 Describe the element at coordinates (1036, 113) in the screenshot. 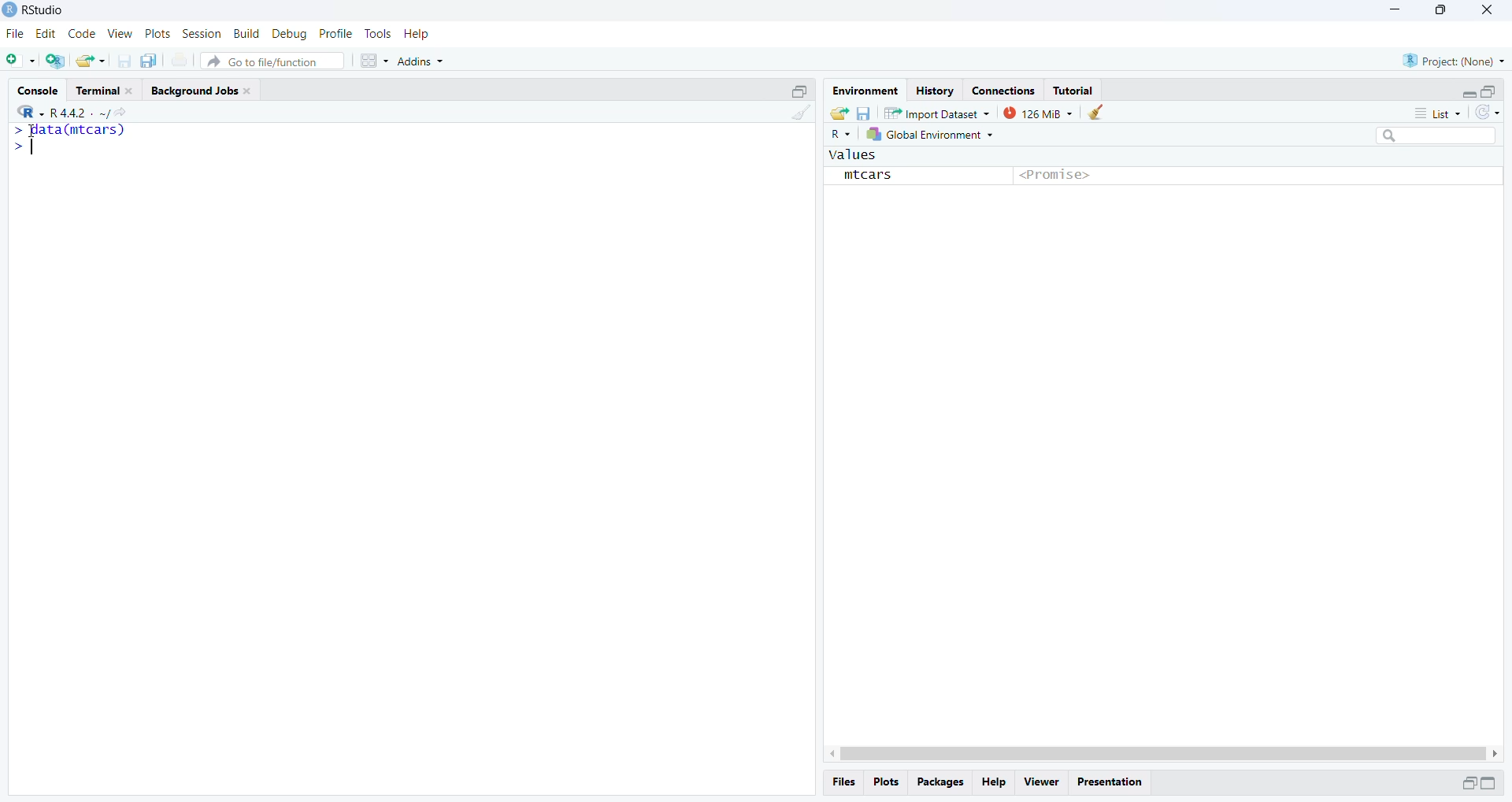

I see `125 MiB` at that location.